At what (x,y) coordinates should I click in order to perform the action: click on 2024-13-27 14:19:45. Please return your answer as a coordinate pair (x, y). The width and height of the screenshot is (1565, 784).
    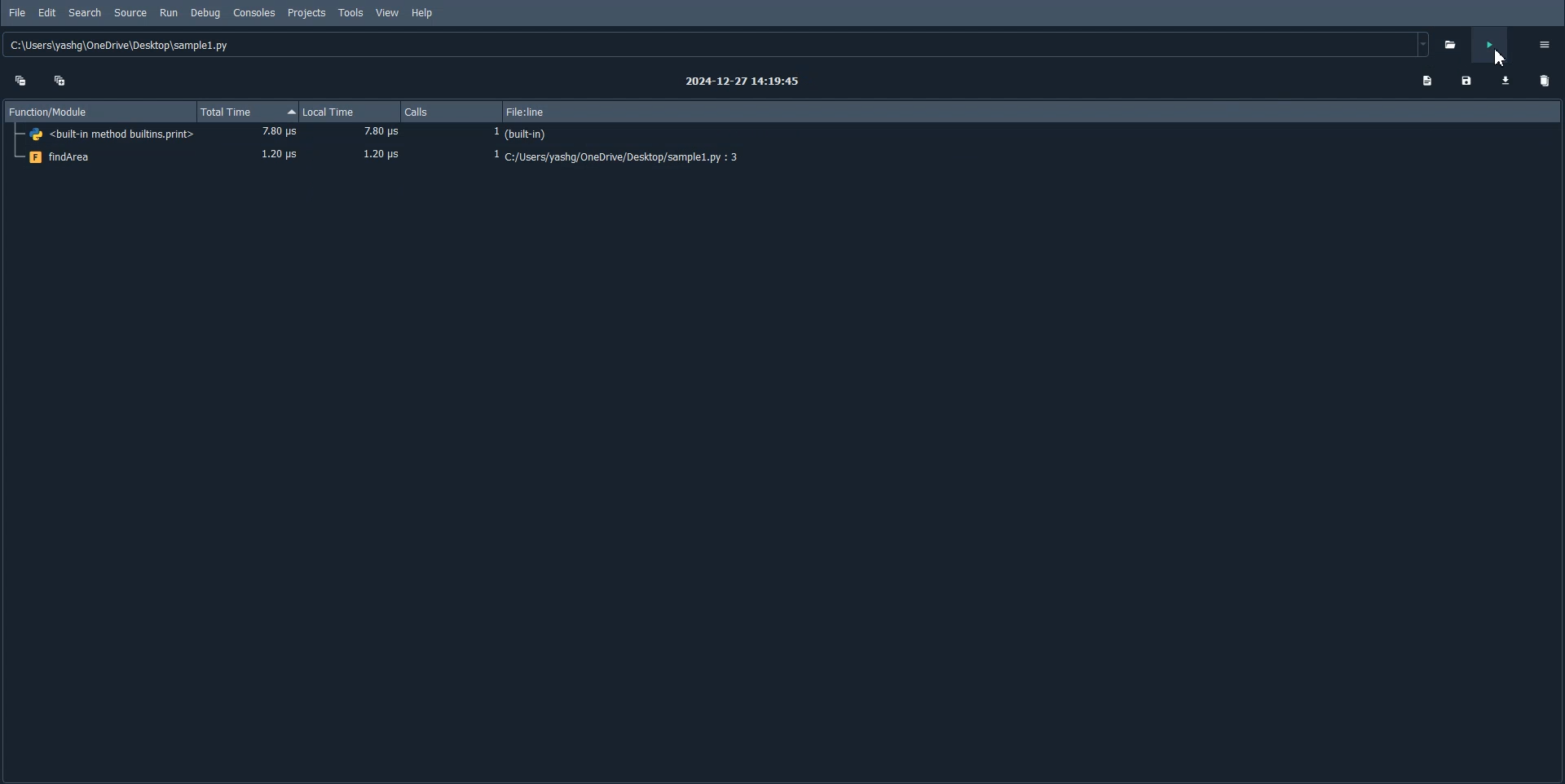
    Looking at the image, I should click on (744, 81).